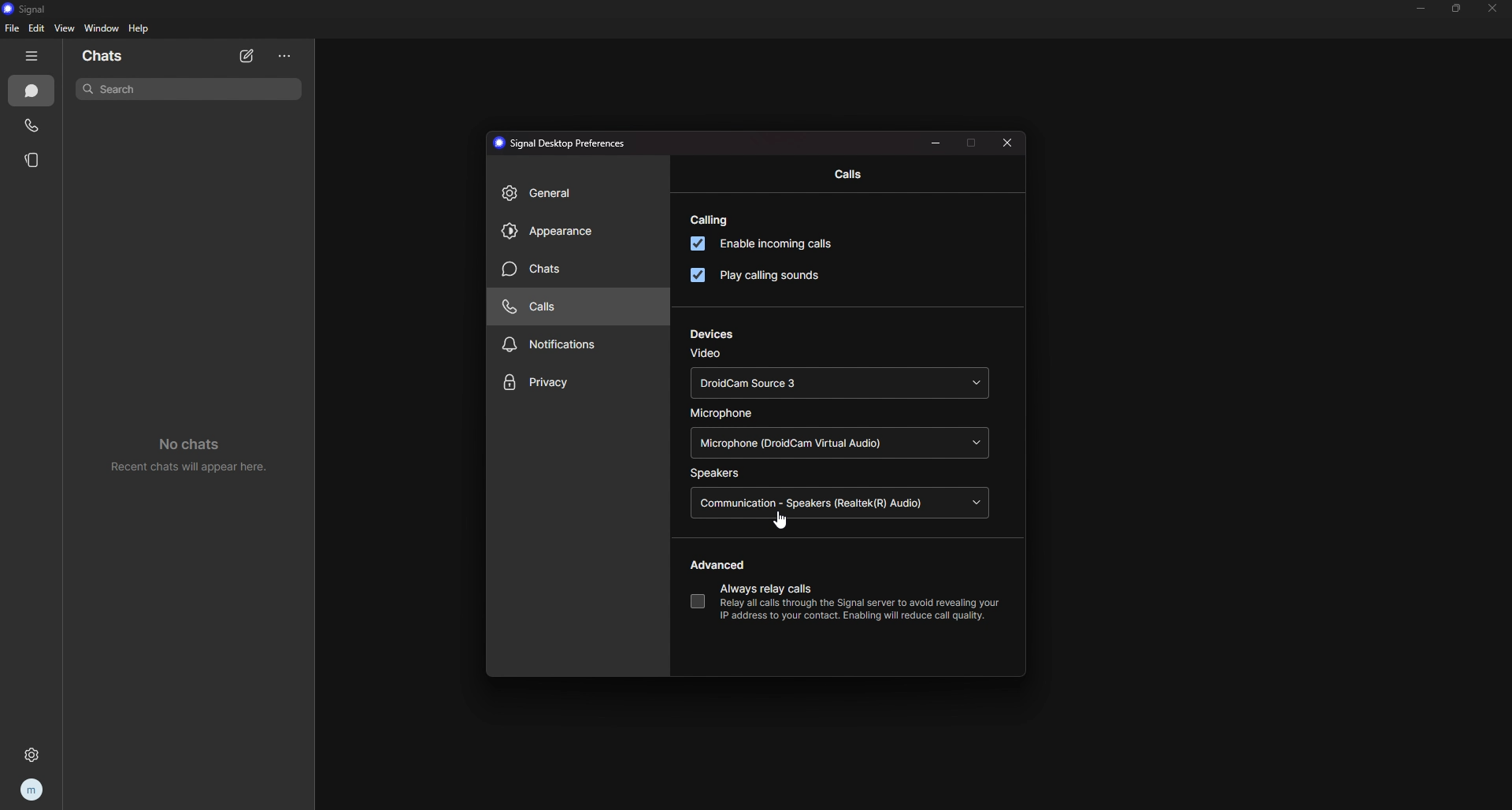  Describe the element at coordinates (65, 28) in the screenshot. I see `view` at that location.